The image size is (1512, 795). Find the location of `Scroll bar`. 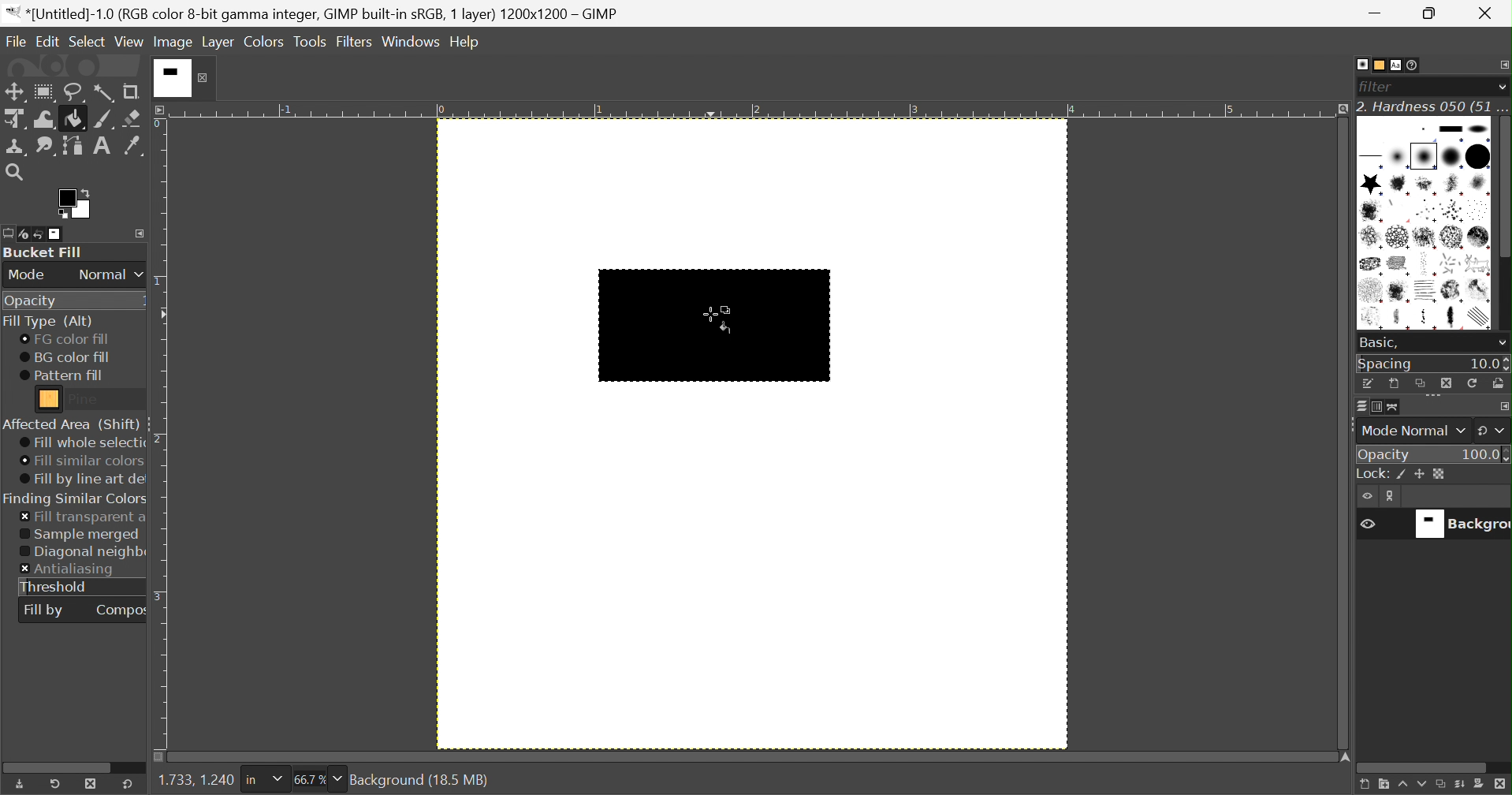

Scroll bar is located at coordinates (1423, 768).